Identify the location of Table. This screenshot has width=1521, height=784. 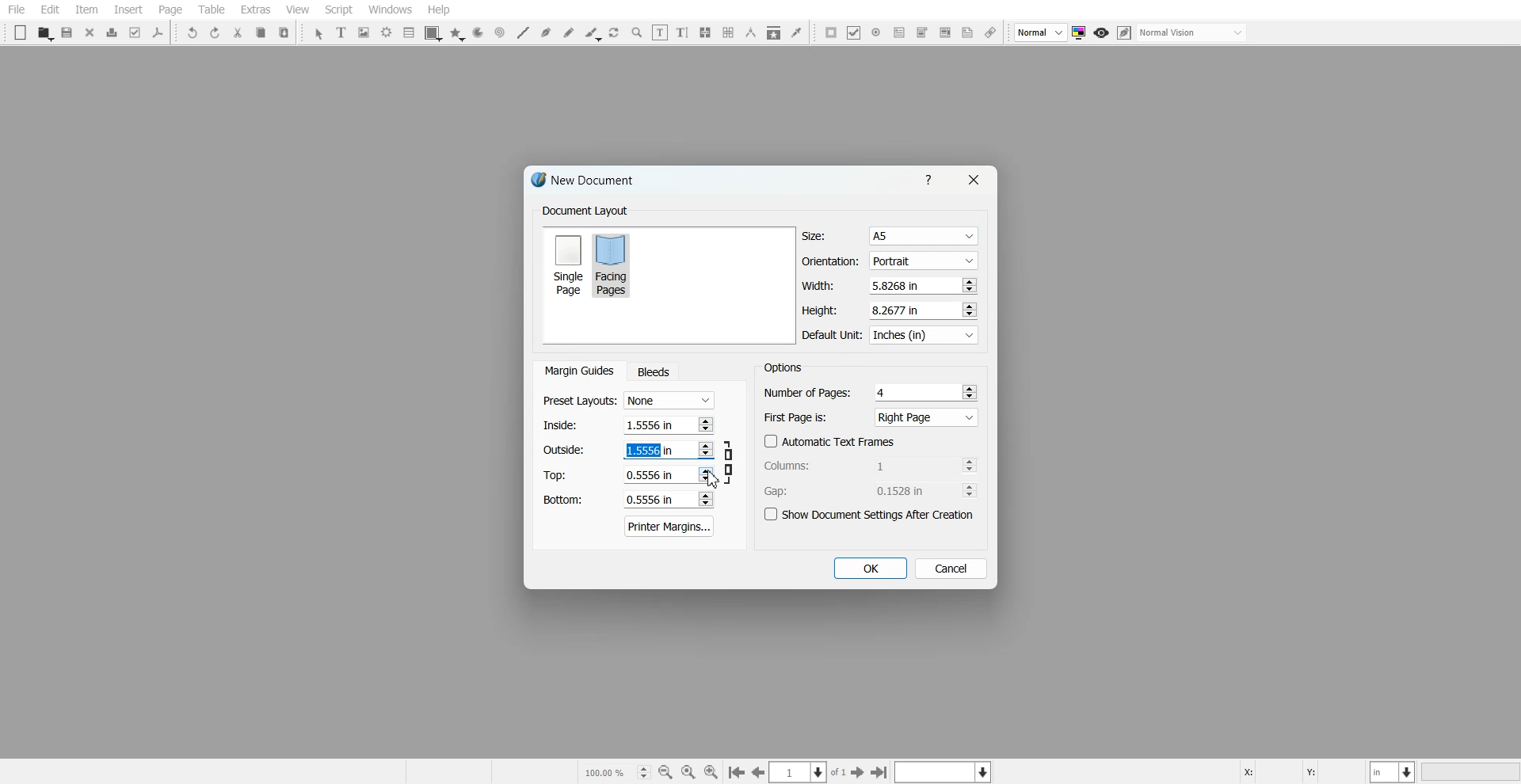
(211, 10).